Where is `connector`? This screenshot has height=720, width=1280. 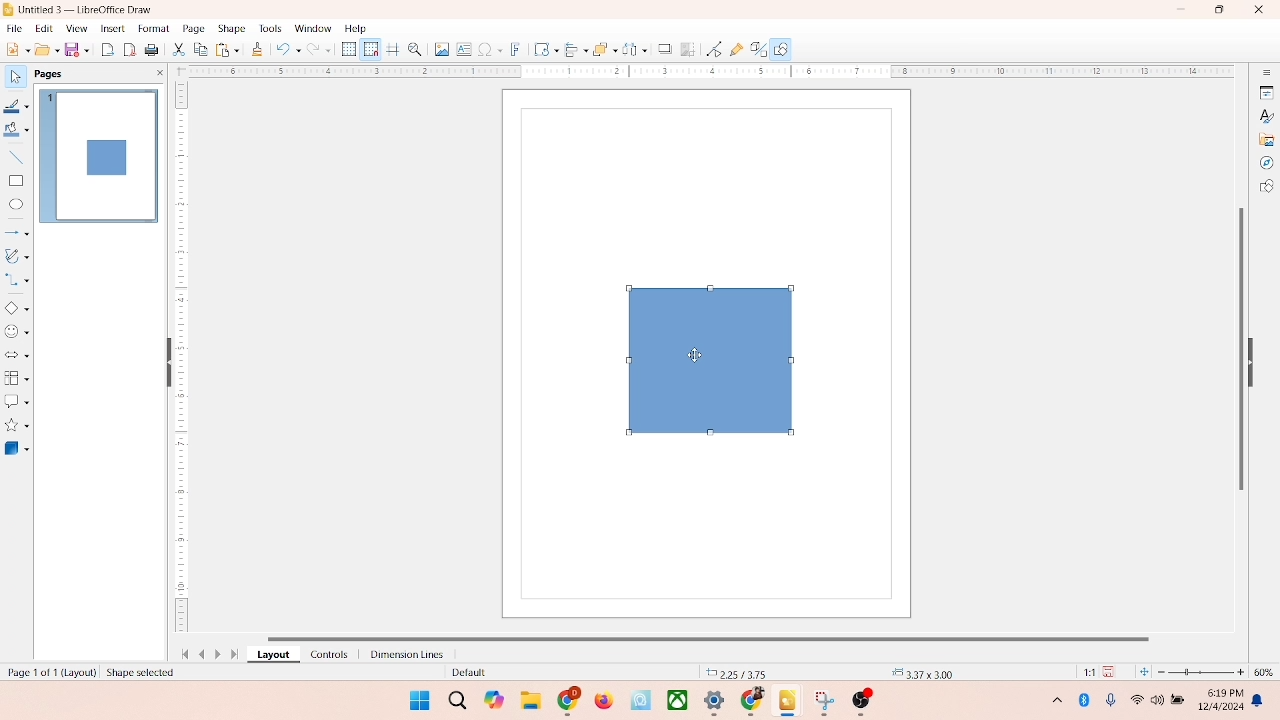
connector is located at coordinates (18, 280).